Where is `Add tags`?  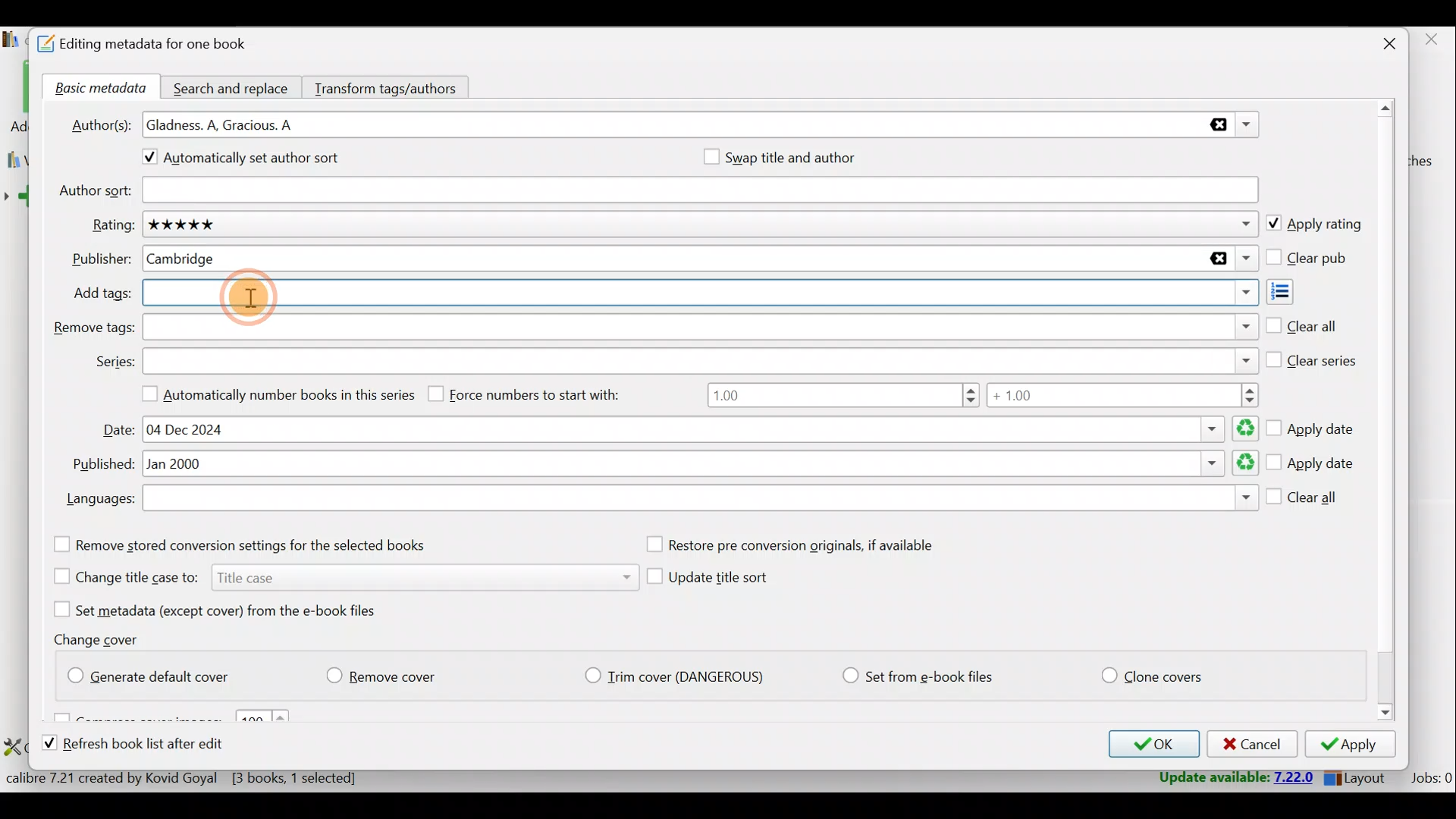
Add tags is located at coordinates (698, 293).